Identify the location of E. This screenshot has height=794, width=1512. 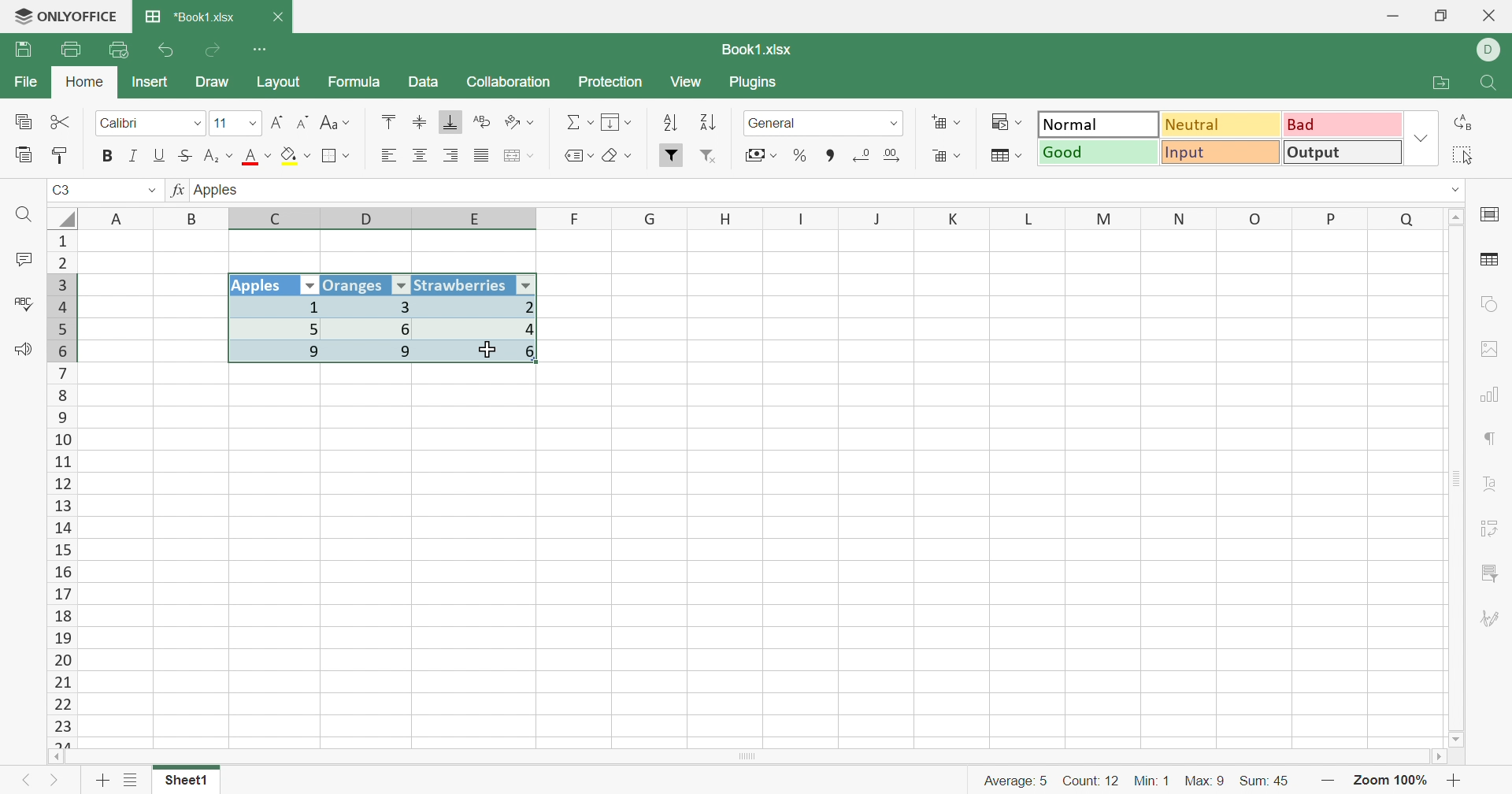
(480, 221).